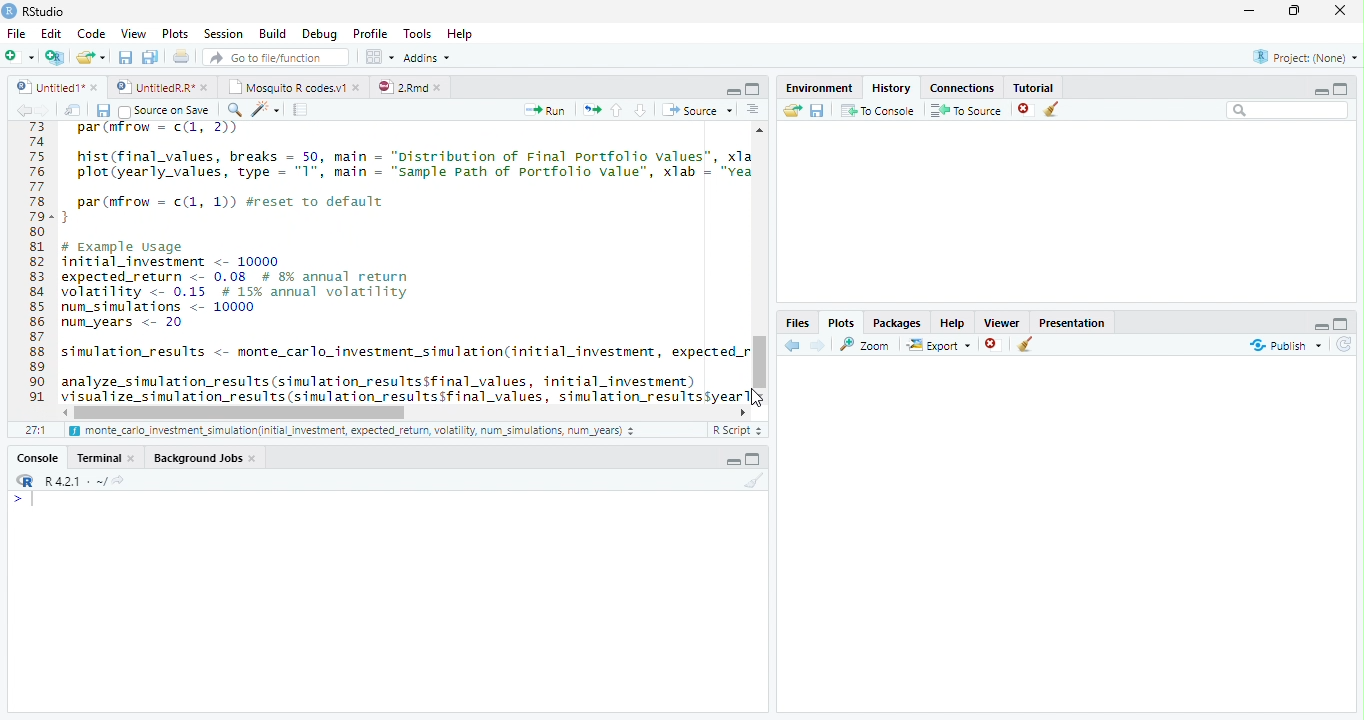 The image size is (1364, 720). I want to click on Load history from an existing file, so click(791, 111).